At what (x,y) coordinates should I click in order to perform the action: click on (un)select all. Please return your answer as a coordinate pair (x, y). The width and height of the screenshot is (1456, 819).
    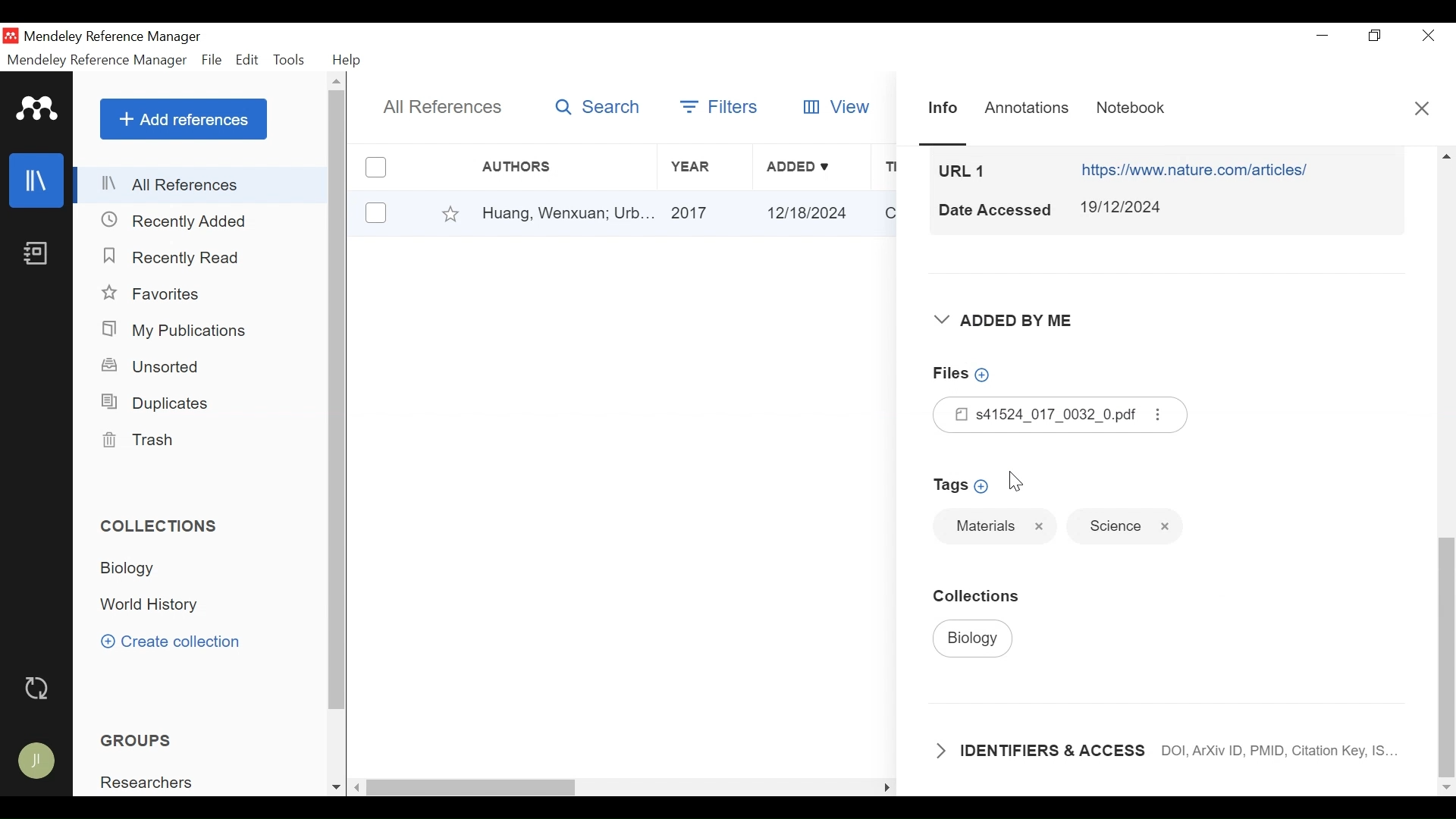
    Looking at the image, I should click on (375, 167).